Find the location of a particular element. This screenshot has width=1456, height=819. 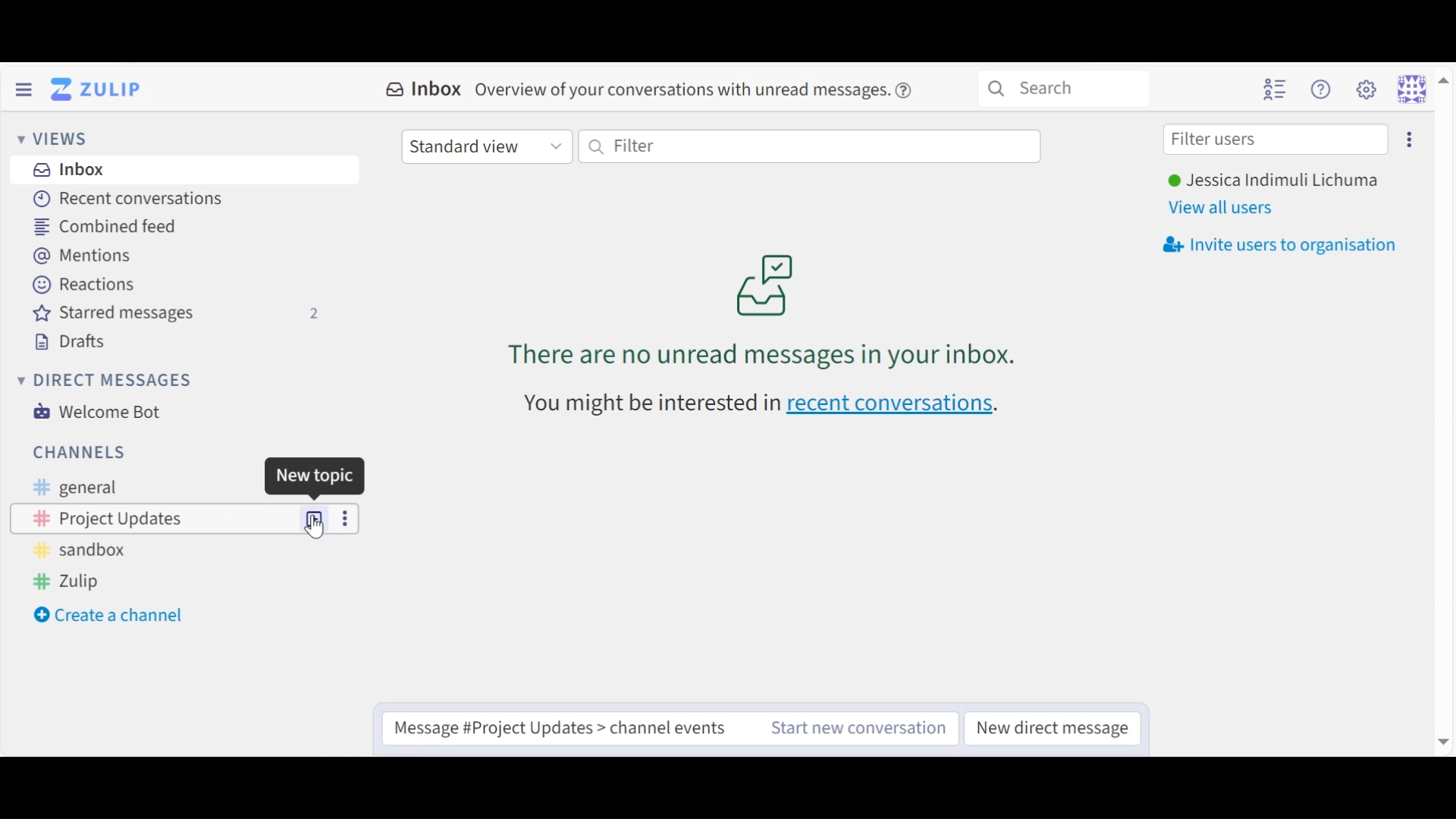

New Topic is located at coordinates (315, 518).